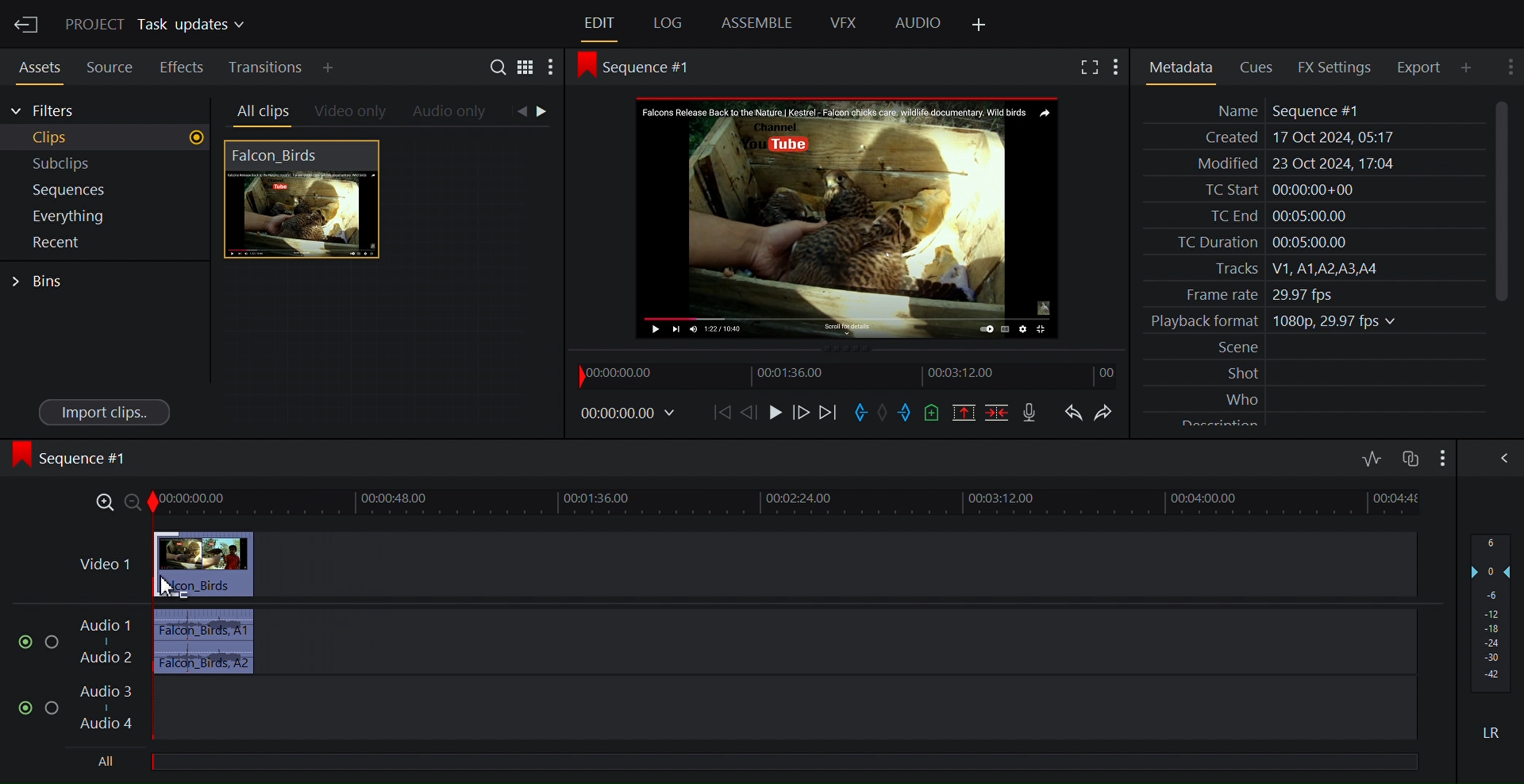 The image size is (1524, 784). What do you see at coordinates (1031, 413) in the screenshot?
I see `Record a voice over` at bounding box center [1031, 413].